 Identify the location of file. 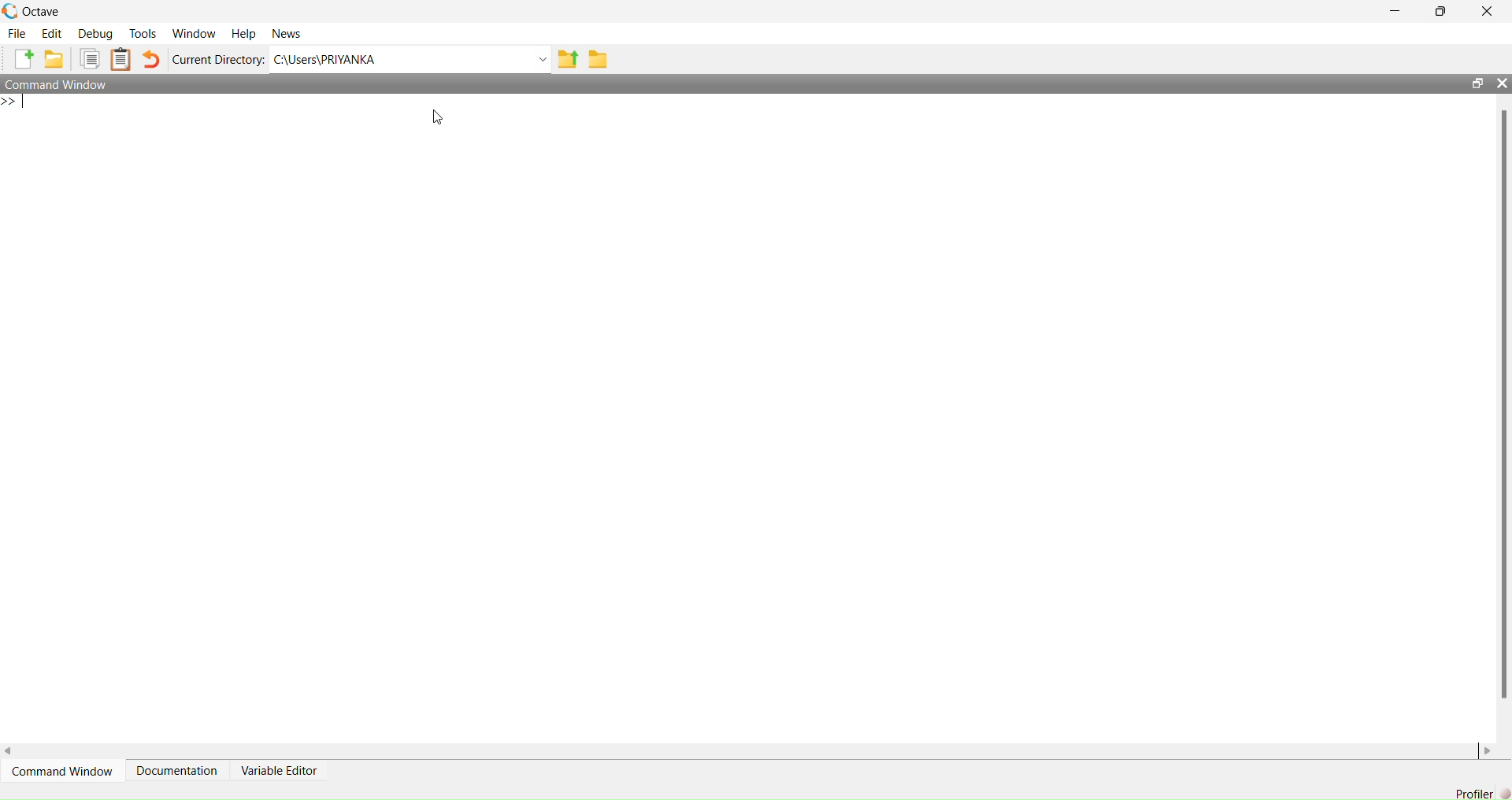
(17, 32).